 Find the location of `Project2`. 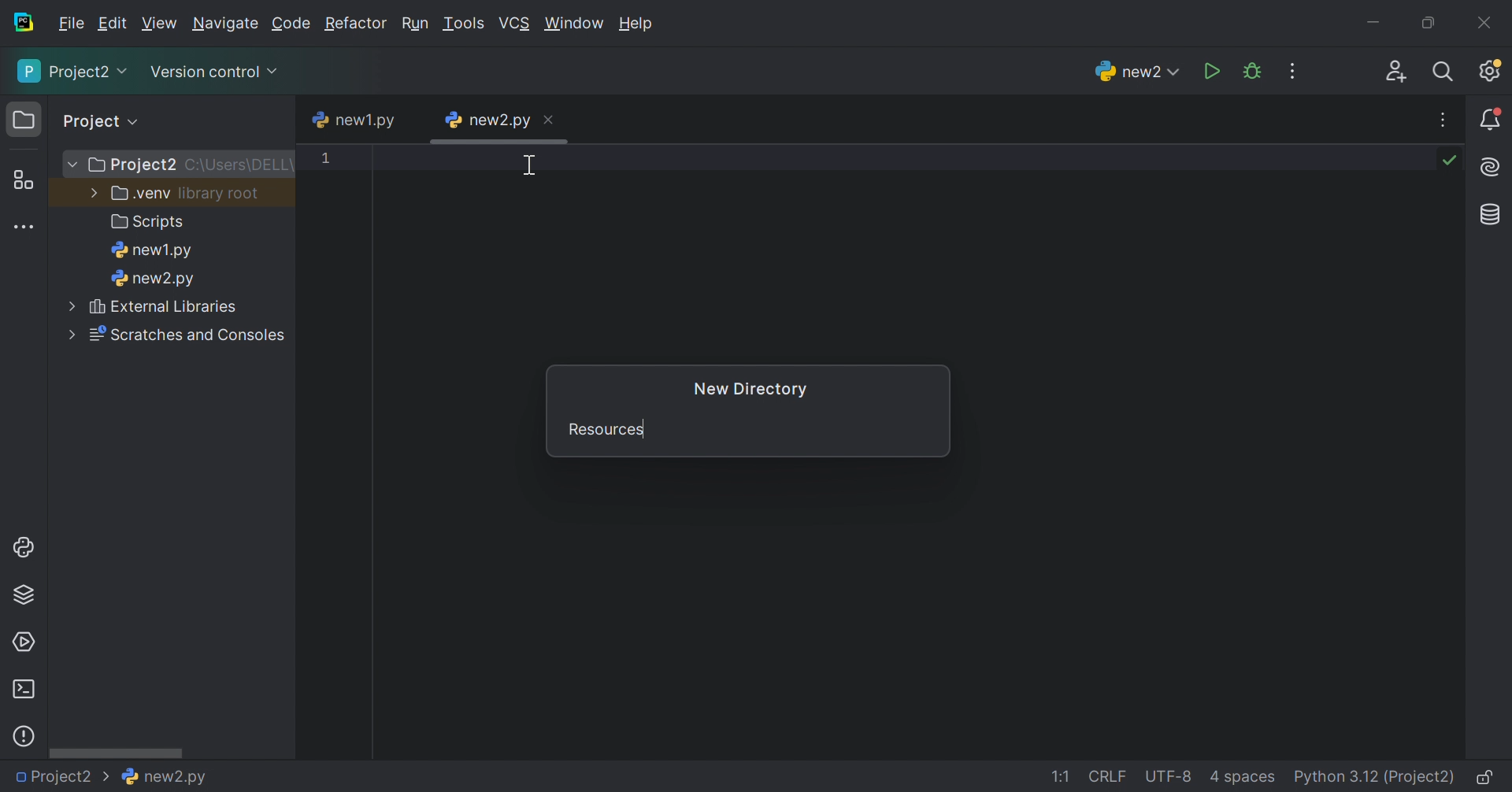

Project2 is located at coordinates (133, 165).